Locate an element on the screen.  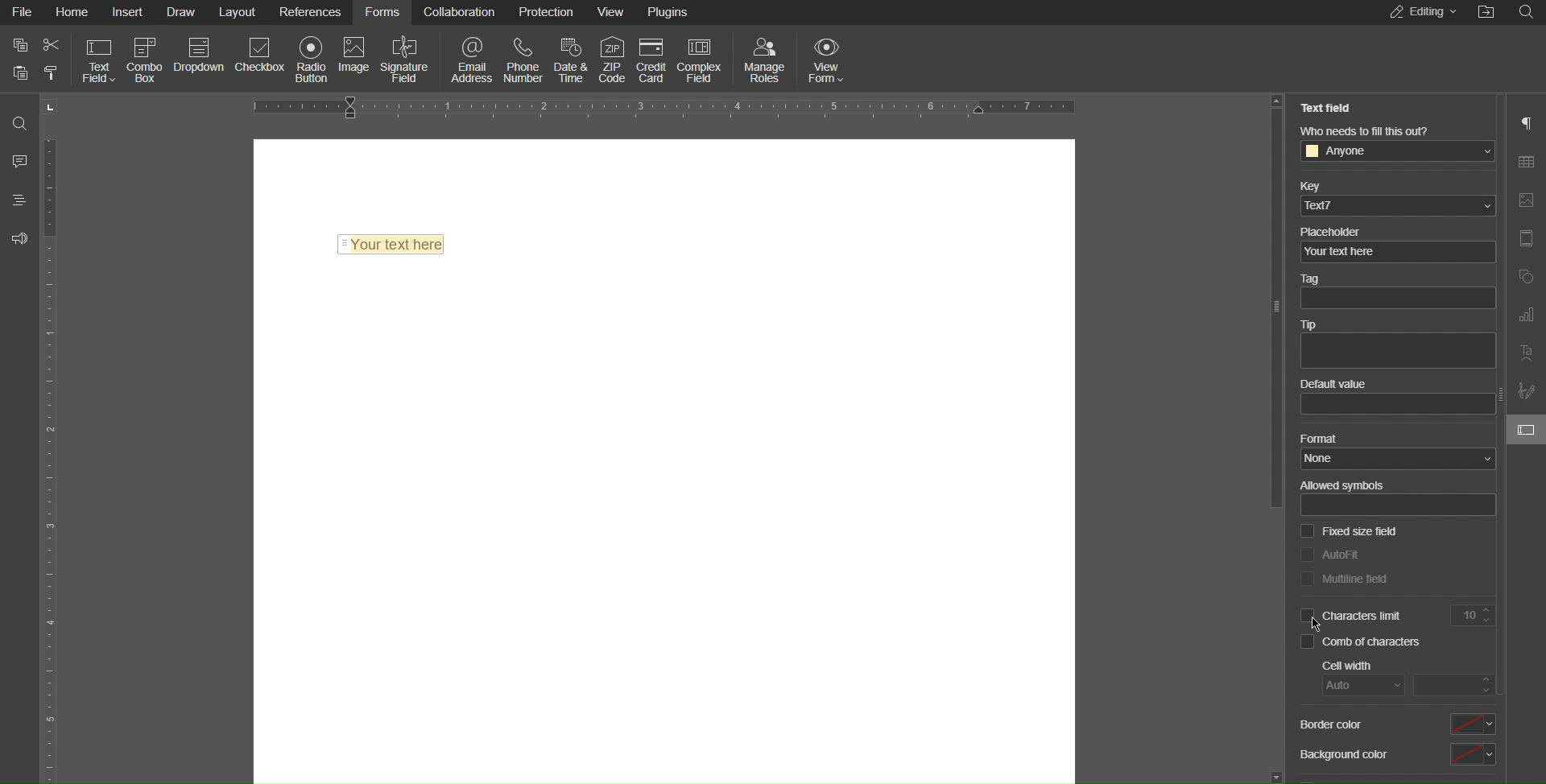
Feedback and Support is located at coordinates (19, 238).